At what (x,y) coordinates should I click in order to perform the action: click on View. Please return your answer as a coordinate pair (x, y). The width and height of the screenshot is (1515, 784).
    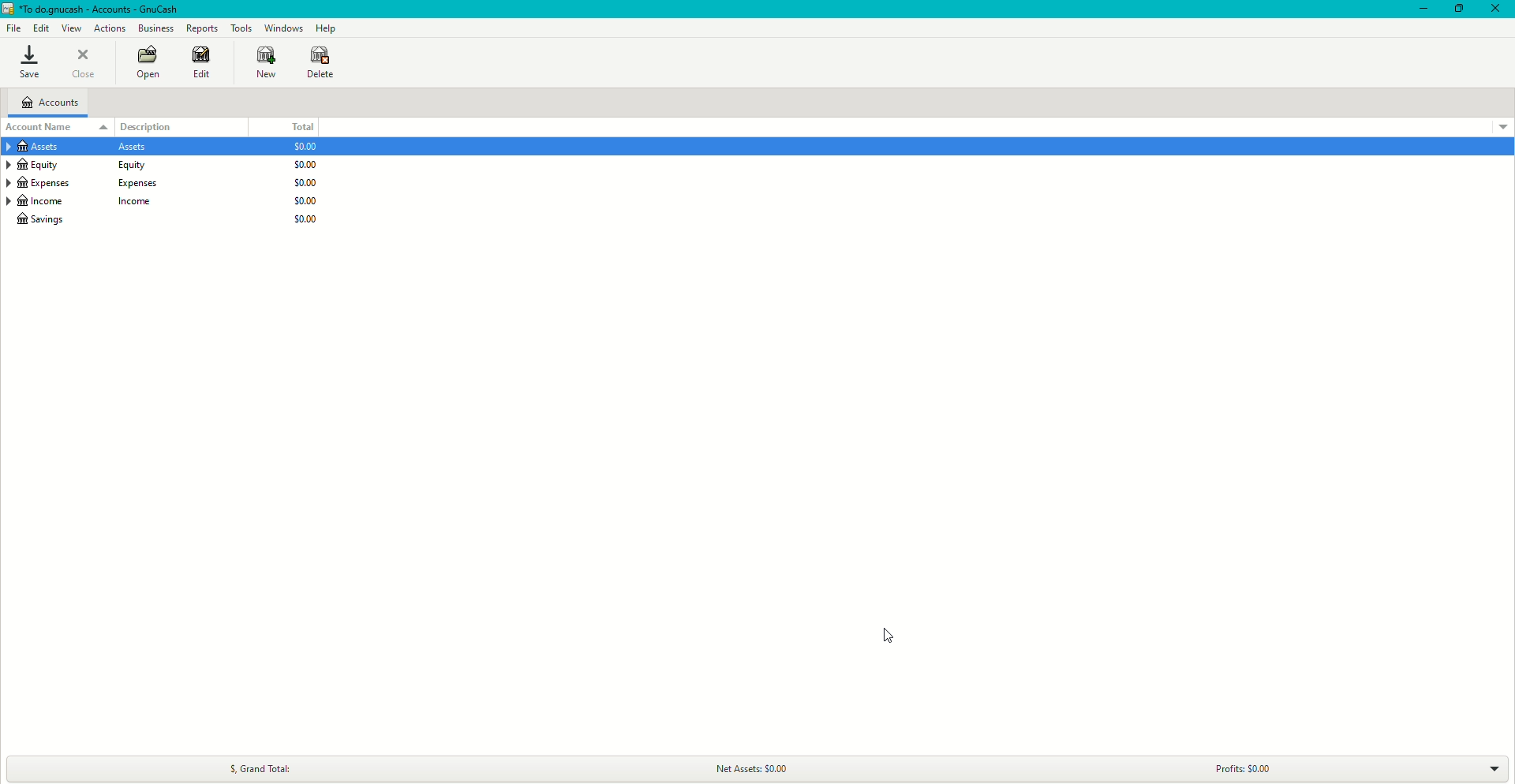
    Looking at the image, I should click on (73, 28).